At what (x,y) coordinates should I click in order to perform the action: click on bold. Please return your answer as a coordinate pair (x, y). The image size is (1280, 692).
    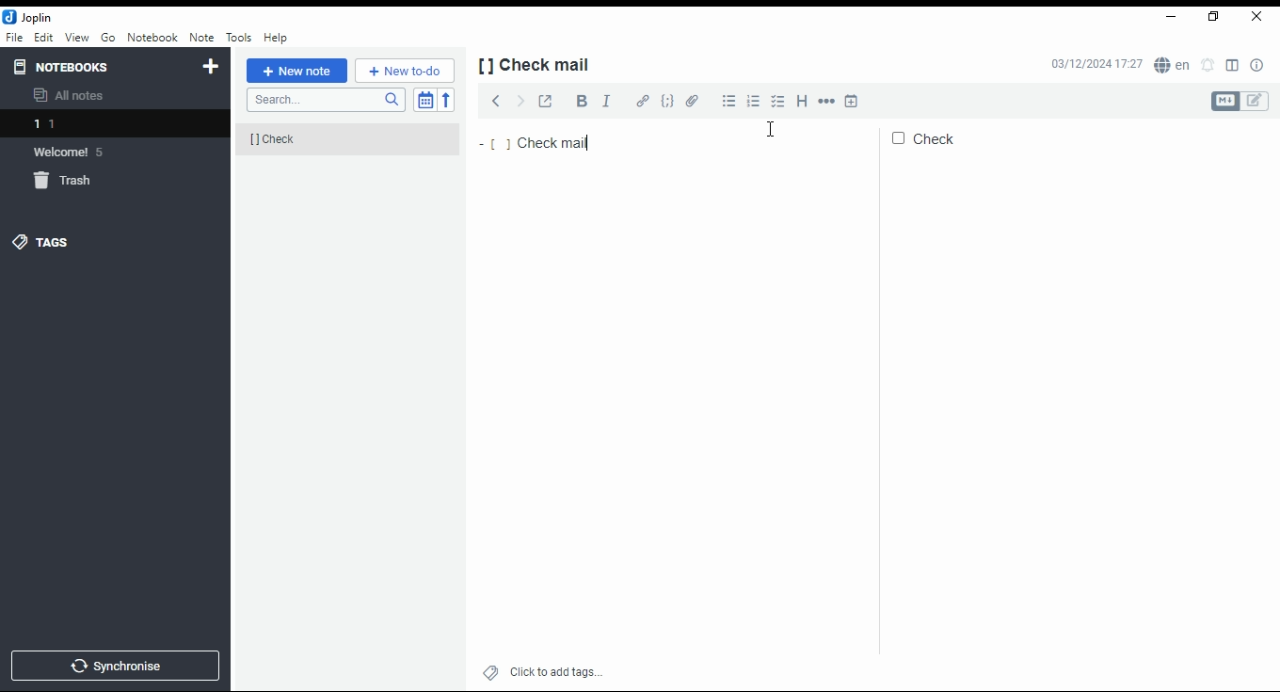
    Looking at the image, I should click on (578, 101).